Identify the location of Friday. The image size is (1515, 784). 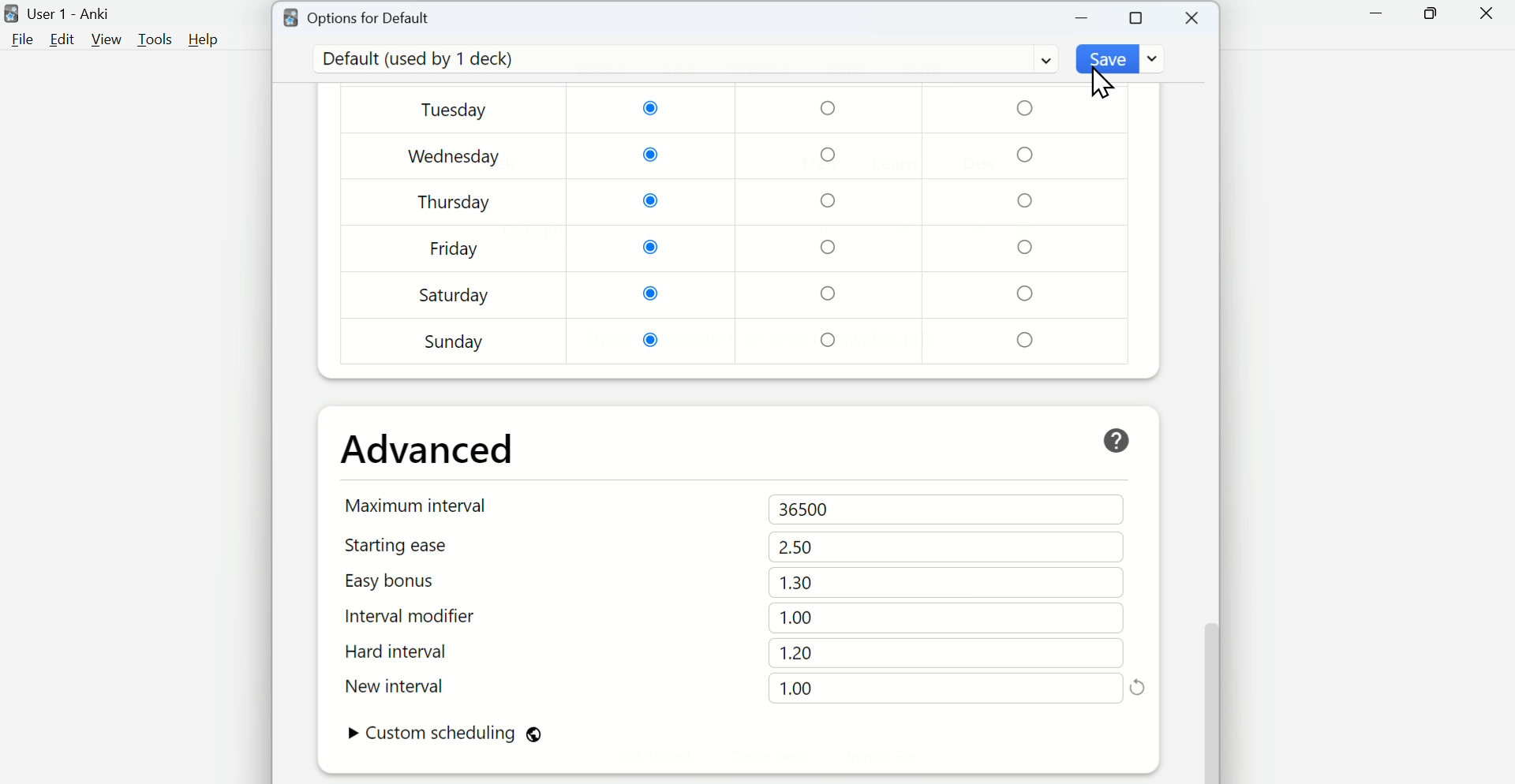
(454, 252).